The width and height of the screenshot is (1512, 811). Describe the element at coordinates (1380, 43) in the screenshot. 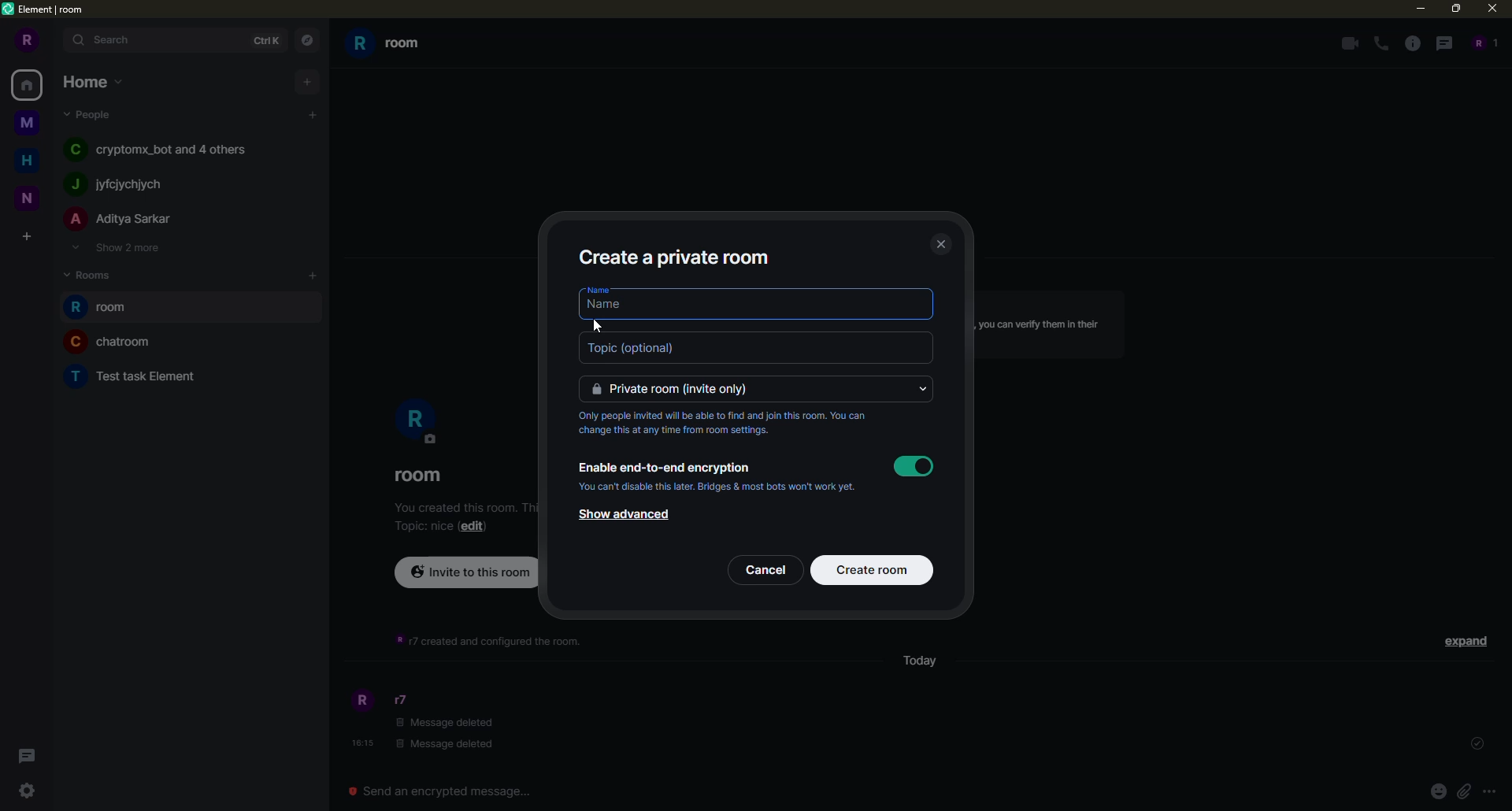

I see `voice call` at that location.